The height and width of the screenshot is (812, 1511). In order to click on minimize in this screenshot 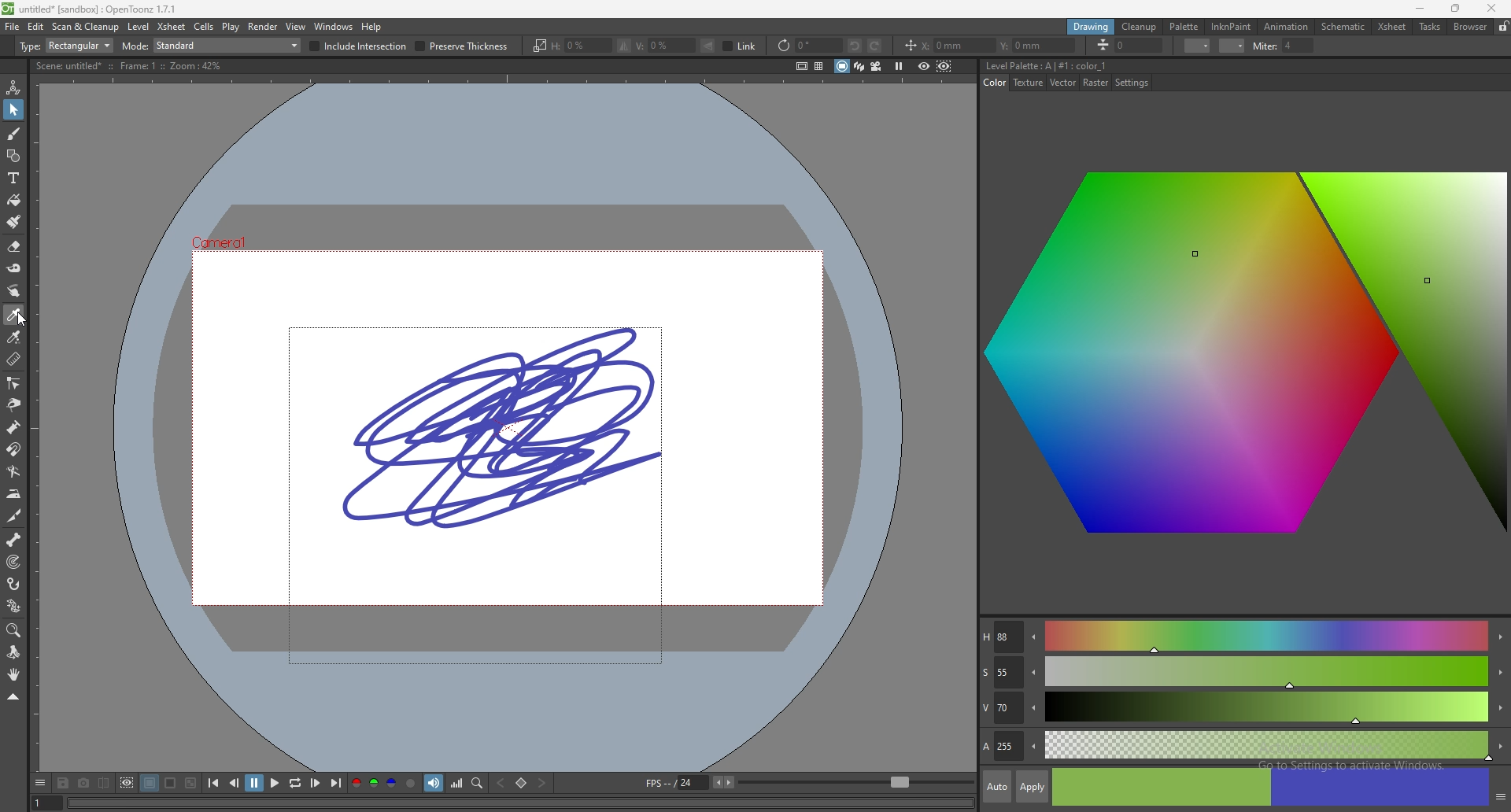, I will do `click(1419, 7)`.